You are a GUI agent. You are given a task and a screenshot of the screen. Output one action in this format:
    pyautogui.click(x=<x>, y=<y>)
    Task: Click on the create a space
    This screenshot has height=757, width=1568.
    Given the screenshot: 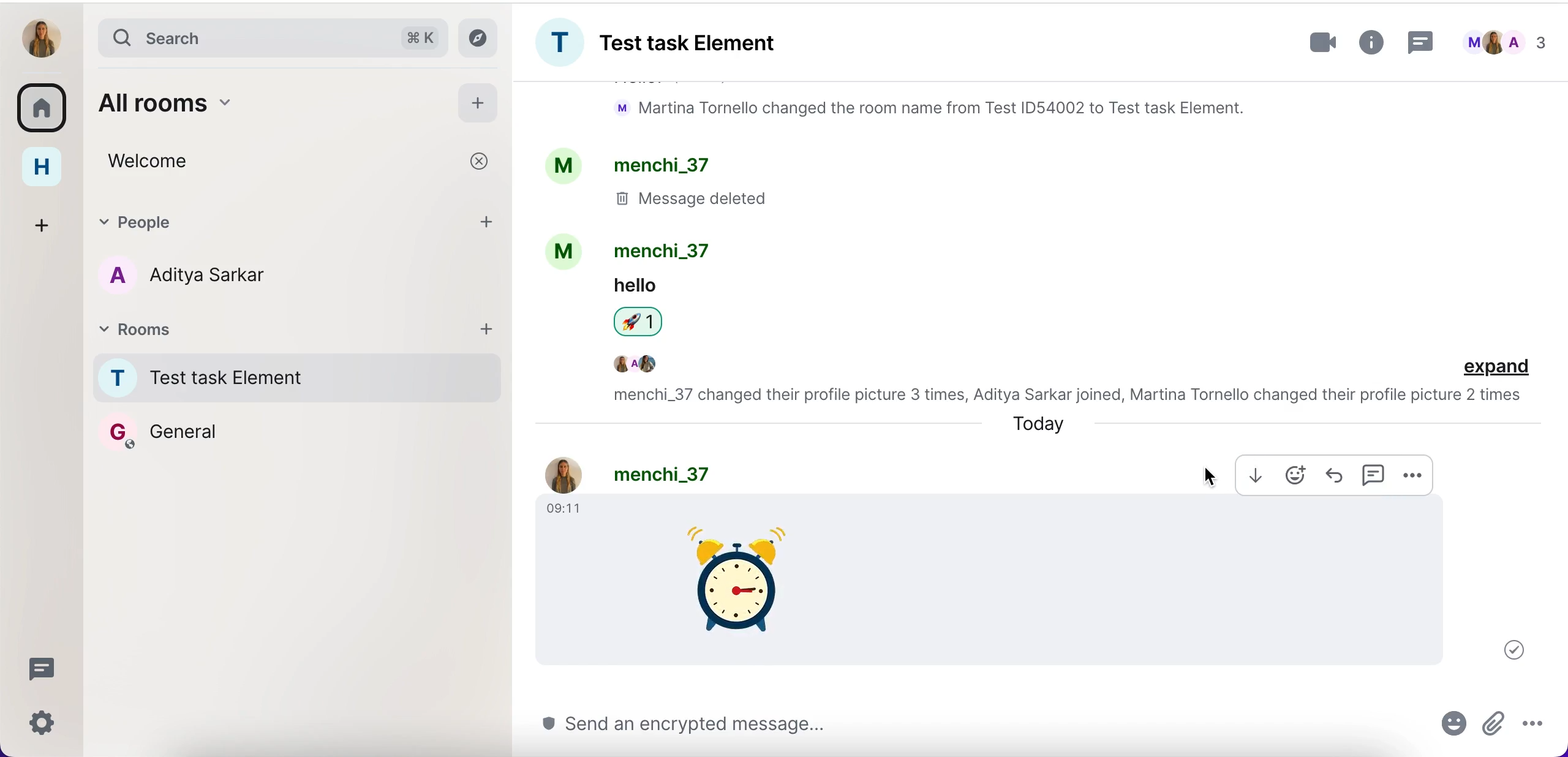 What is the action you would take?
    pyautogui.click(x=42, y=224)
    